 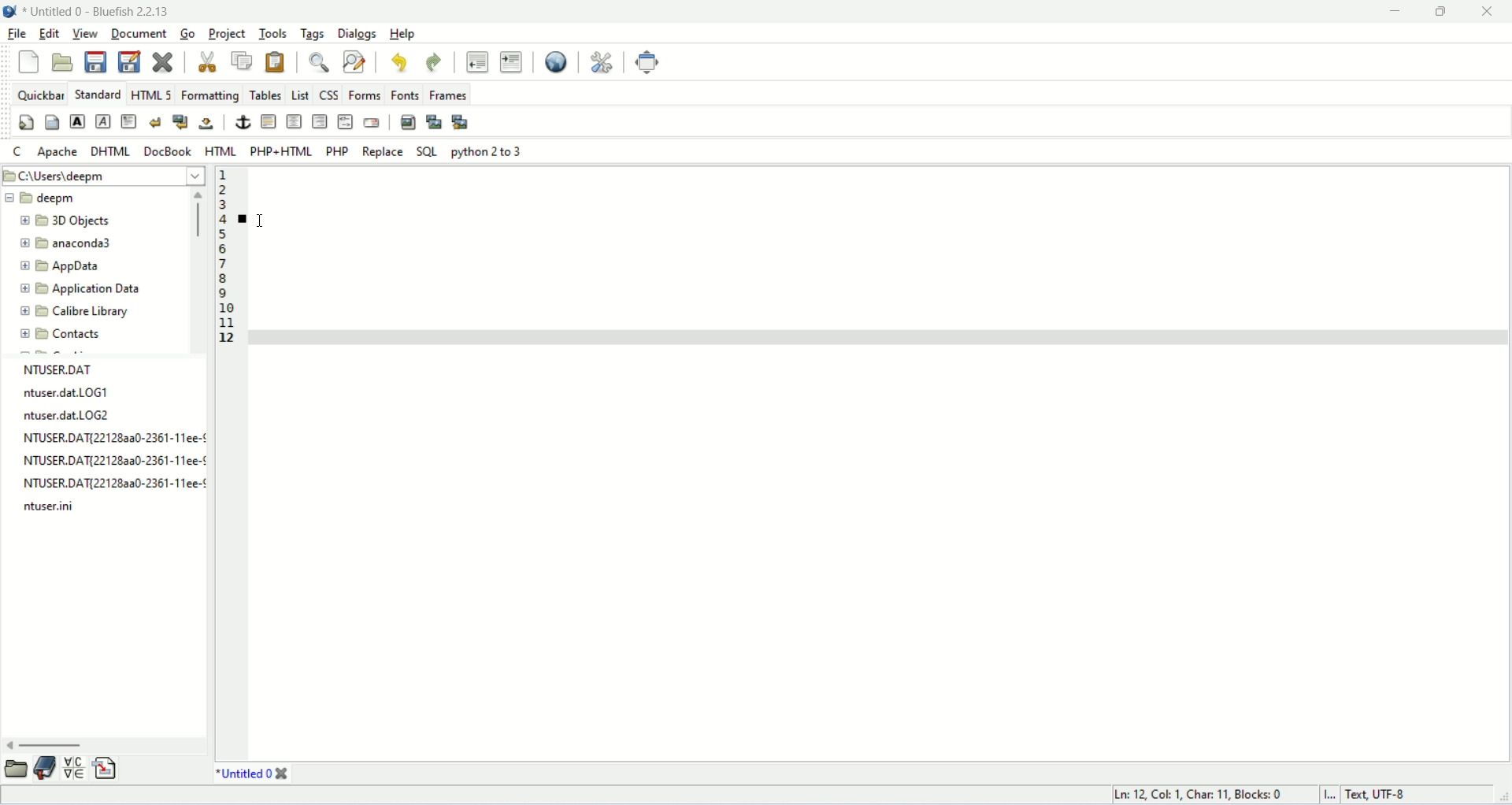 I want to click on PHP+HTML, so click(x=280, y=151).